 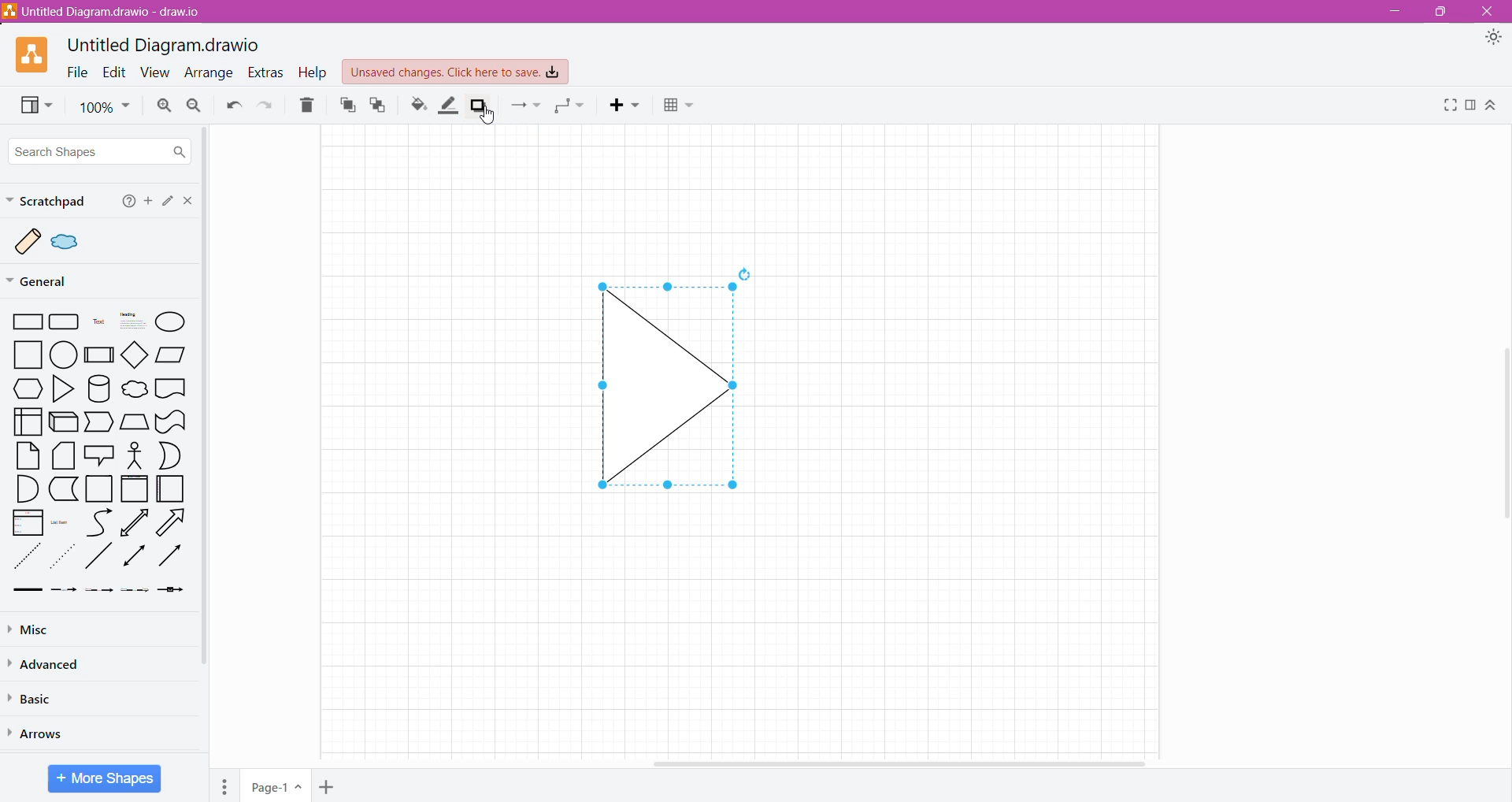 What do you see at coordinates (29, 106) in the screenshot?
I see `View` at bounding box center [29, 106].